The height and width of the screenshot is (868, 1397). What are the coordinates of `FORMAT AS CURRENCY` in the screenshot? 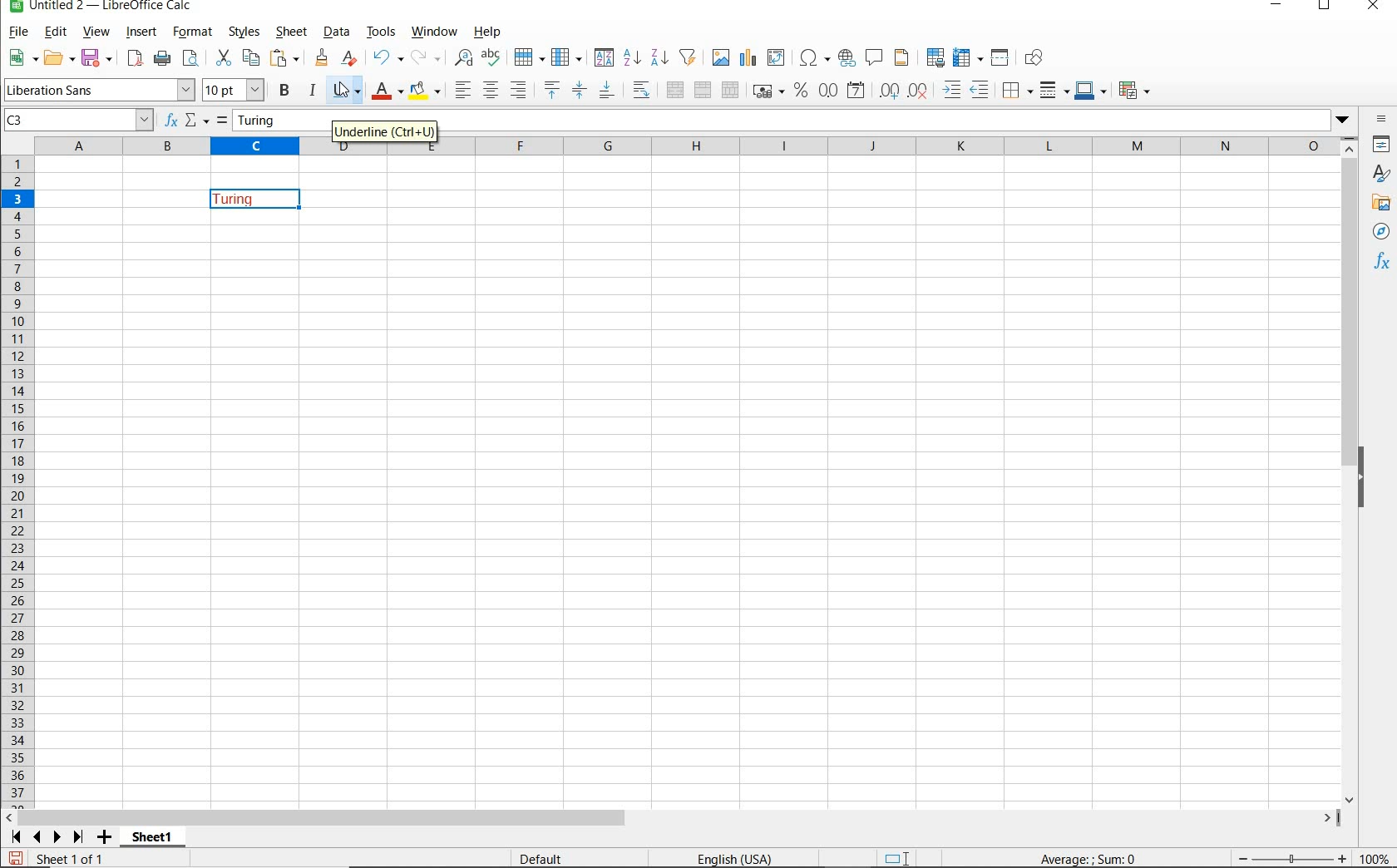 It's located at (766, 91).